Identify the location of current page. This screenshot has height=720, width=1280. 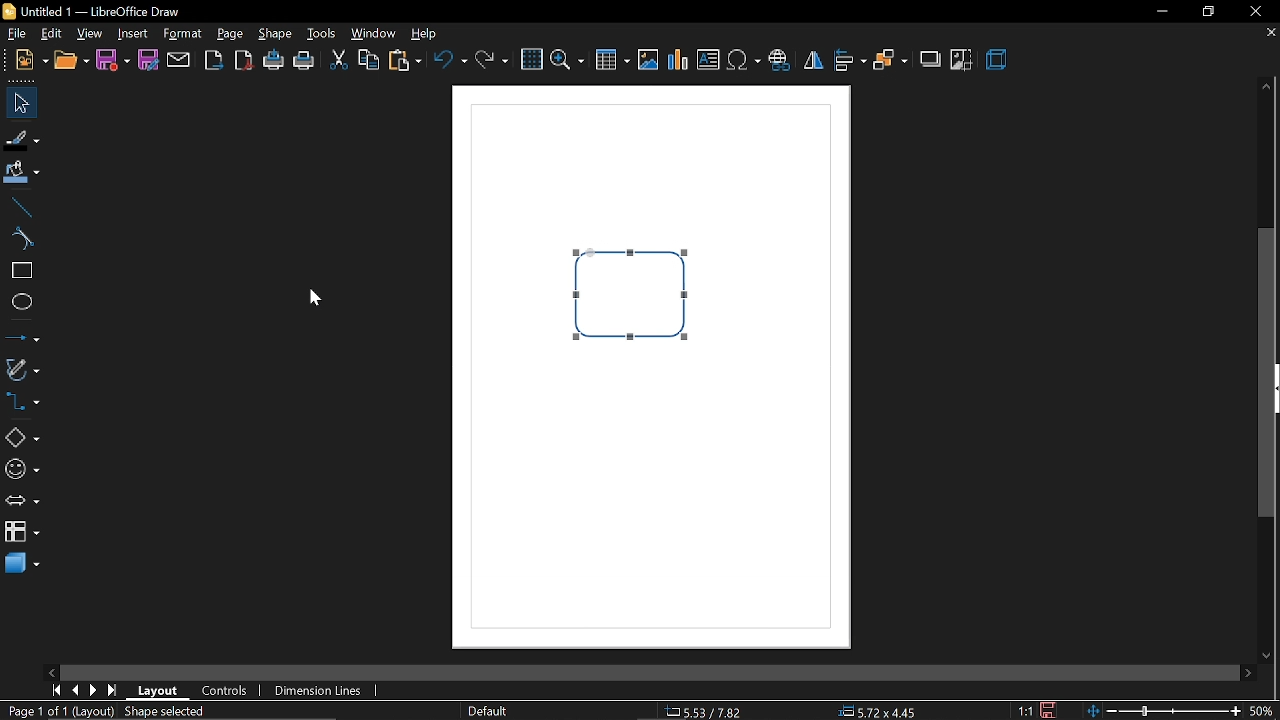
(59, 712).